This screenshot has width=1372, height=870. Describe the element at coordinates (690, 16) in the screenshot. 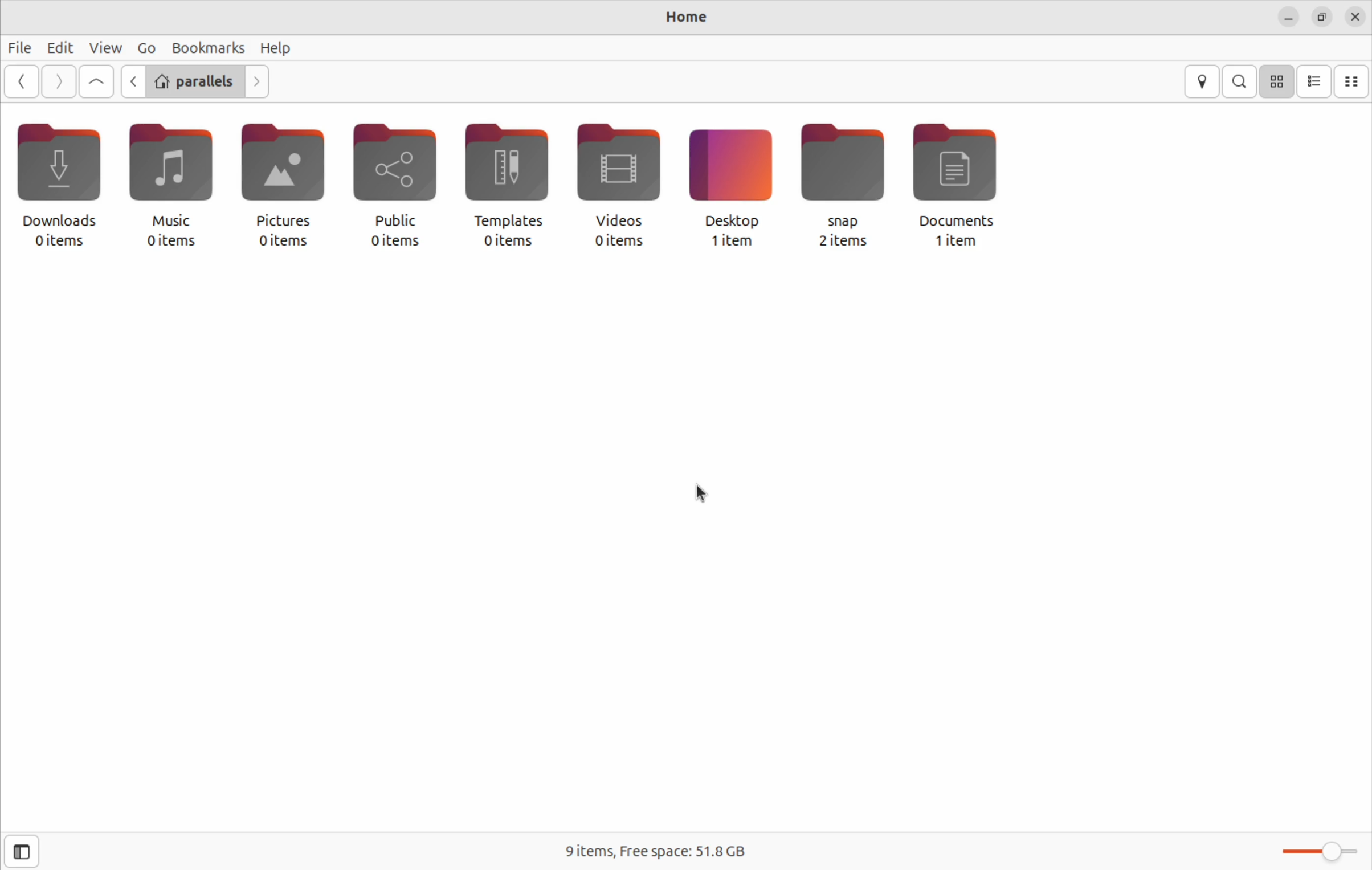

I see `home` at that location.